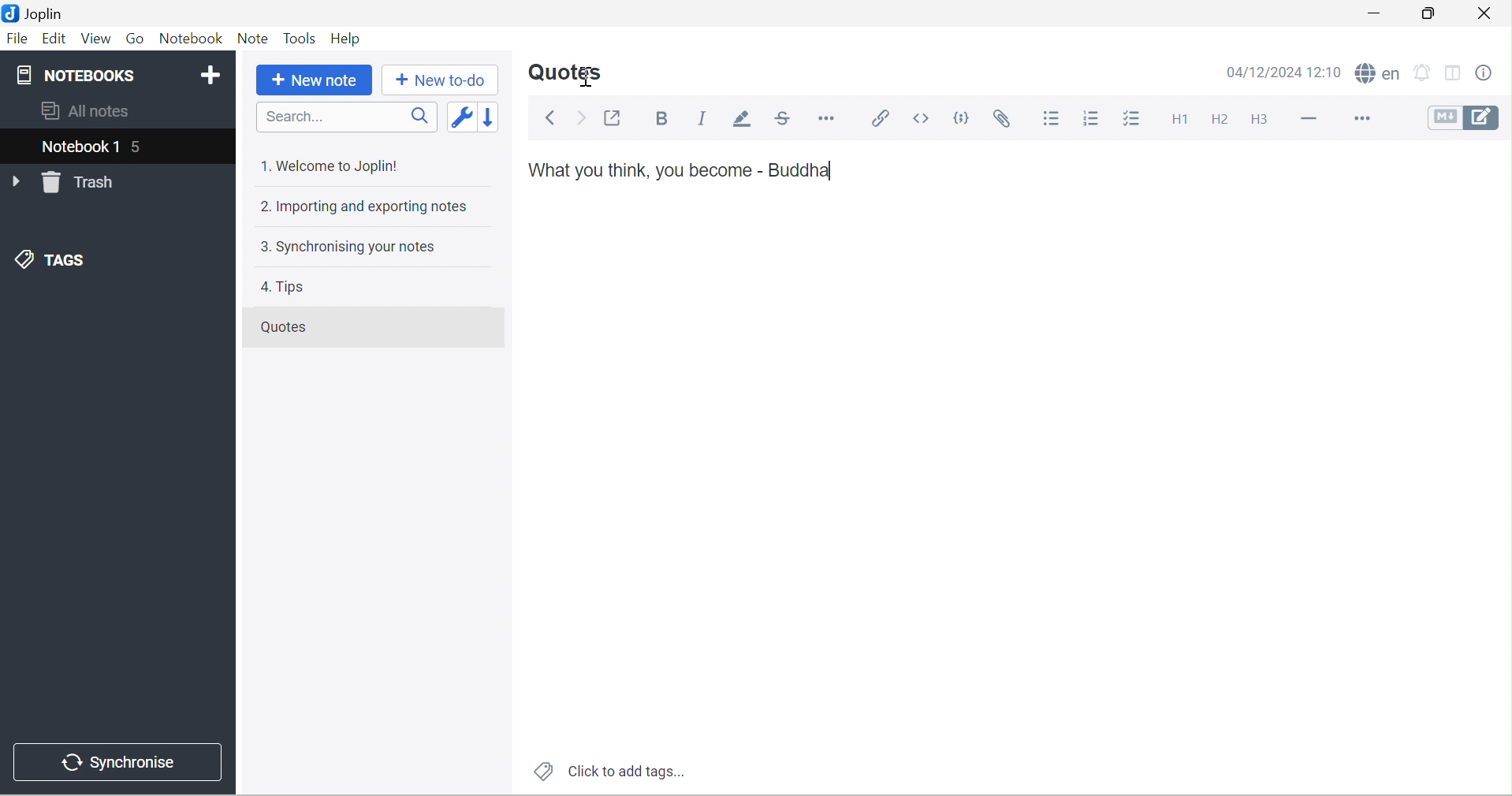  What do you see at coordinates (441, 79) in the screenshot?
I see `New to-do` at bounding box center [441, 79].